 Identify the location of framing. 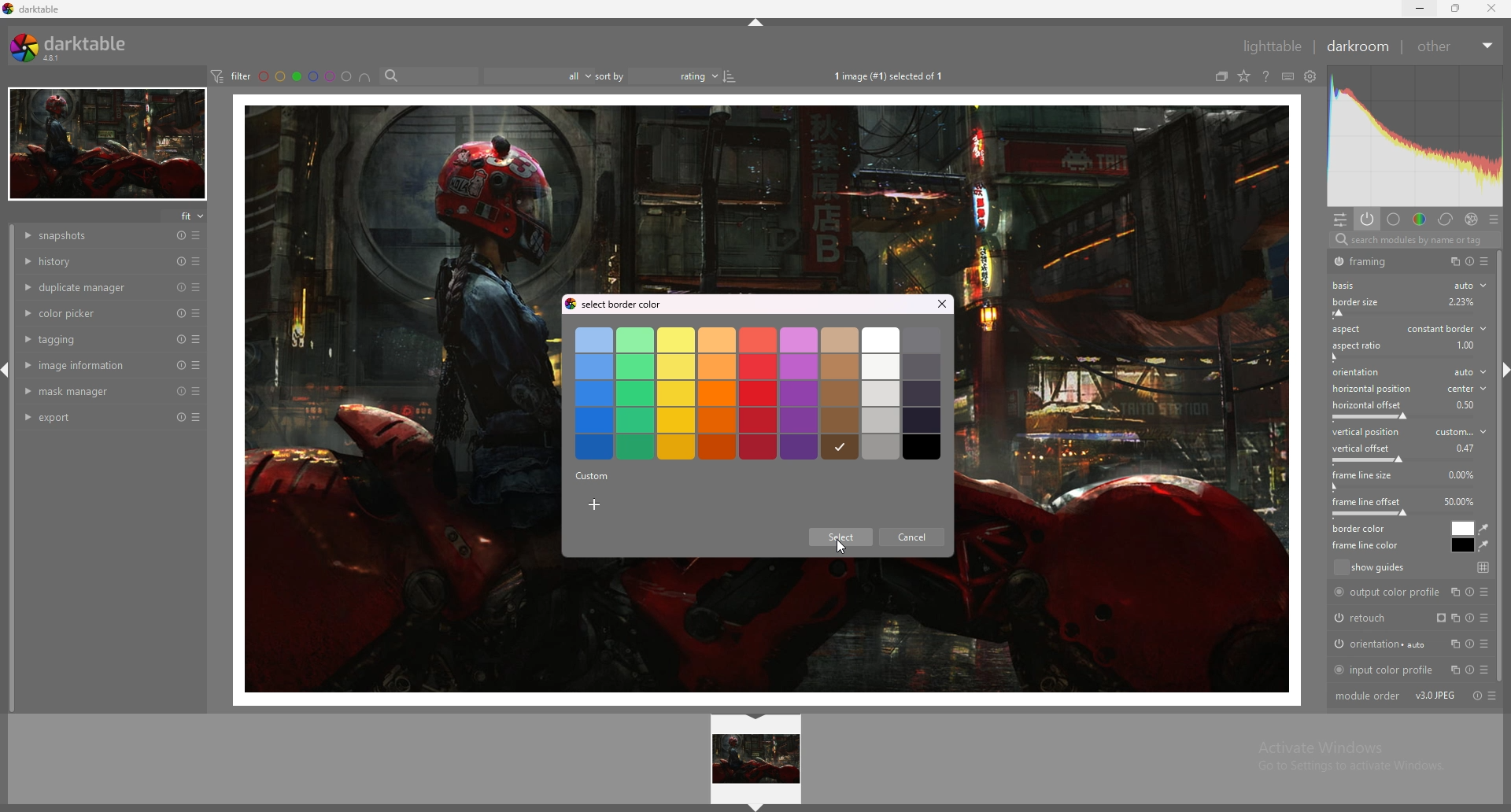
(1372, 261).